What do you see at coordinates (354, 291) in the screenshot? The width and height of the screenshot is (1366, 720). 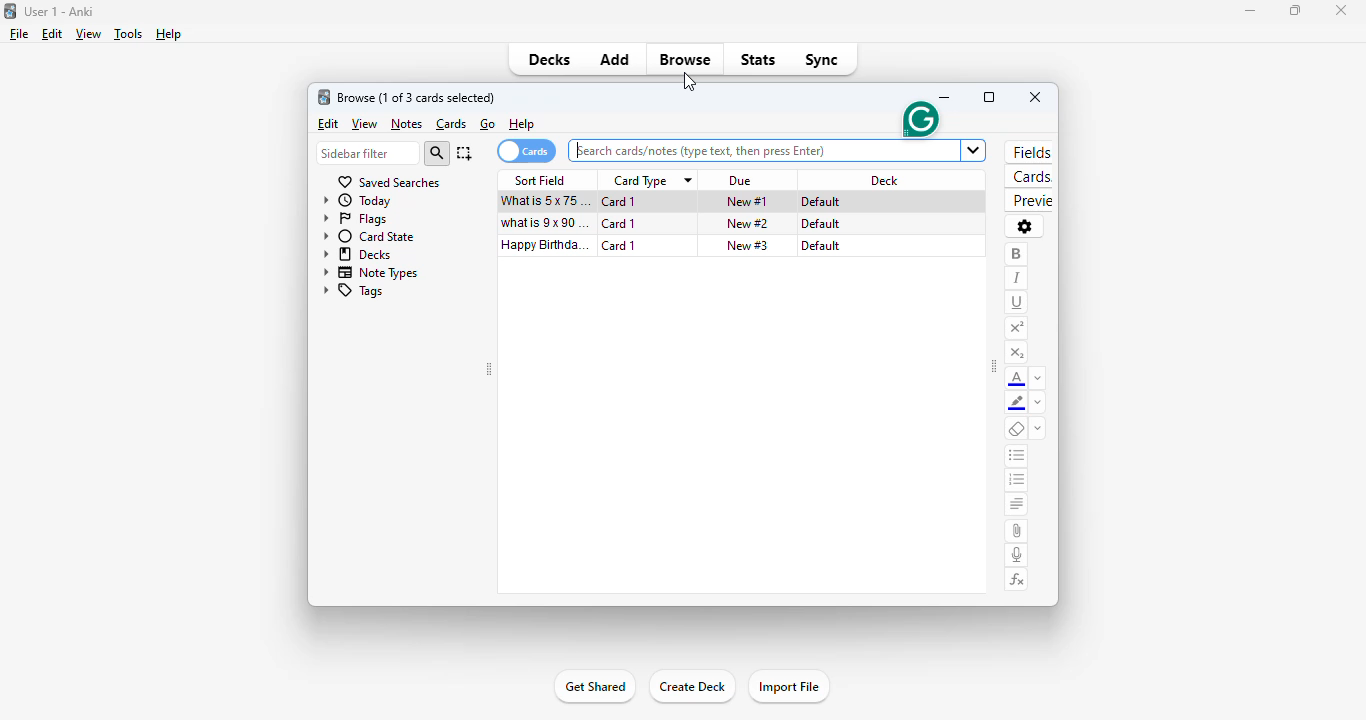 I see `tags` at bounding box center [354, 291].